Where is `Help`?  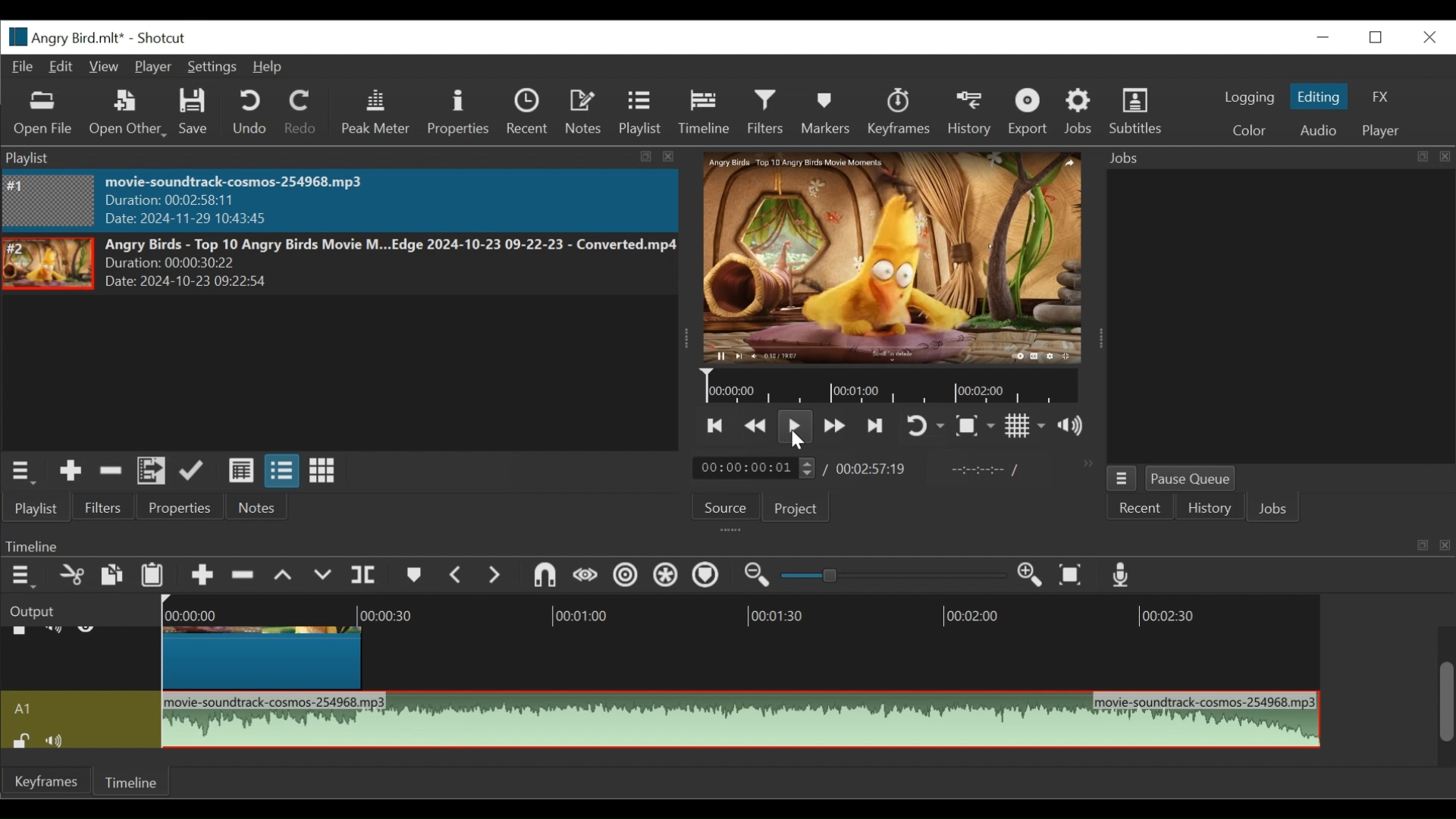
Help is located at coordinates (266, 67).